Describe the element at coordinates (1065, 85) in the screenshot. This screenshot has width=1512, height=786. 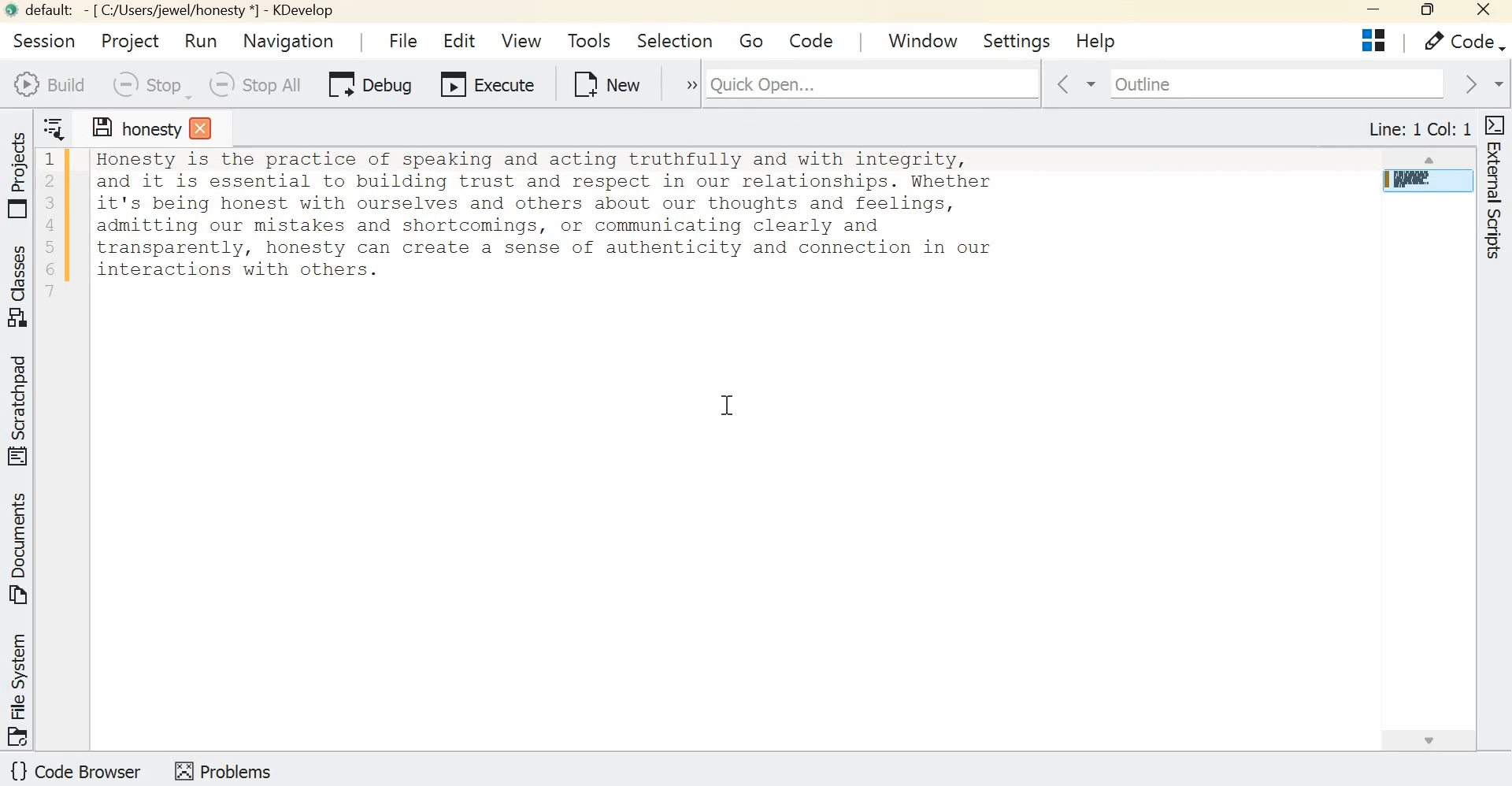
I see `Go back in context history` at that location.